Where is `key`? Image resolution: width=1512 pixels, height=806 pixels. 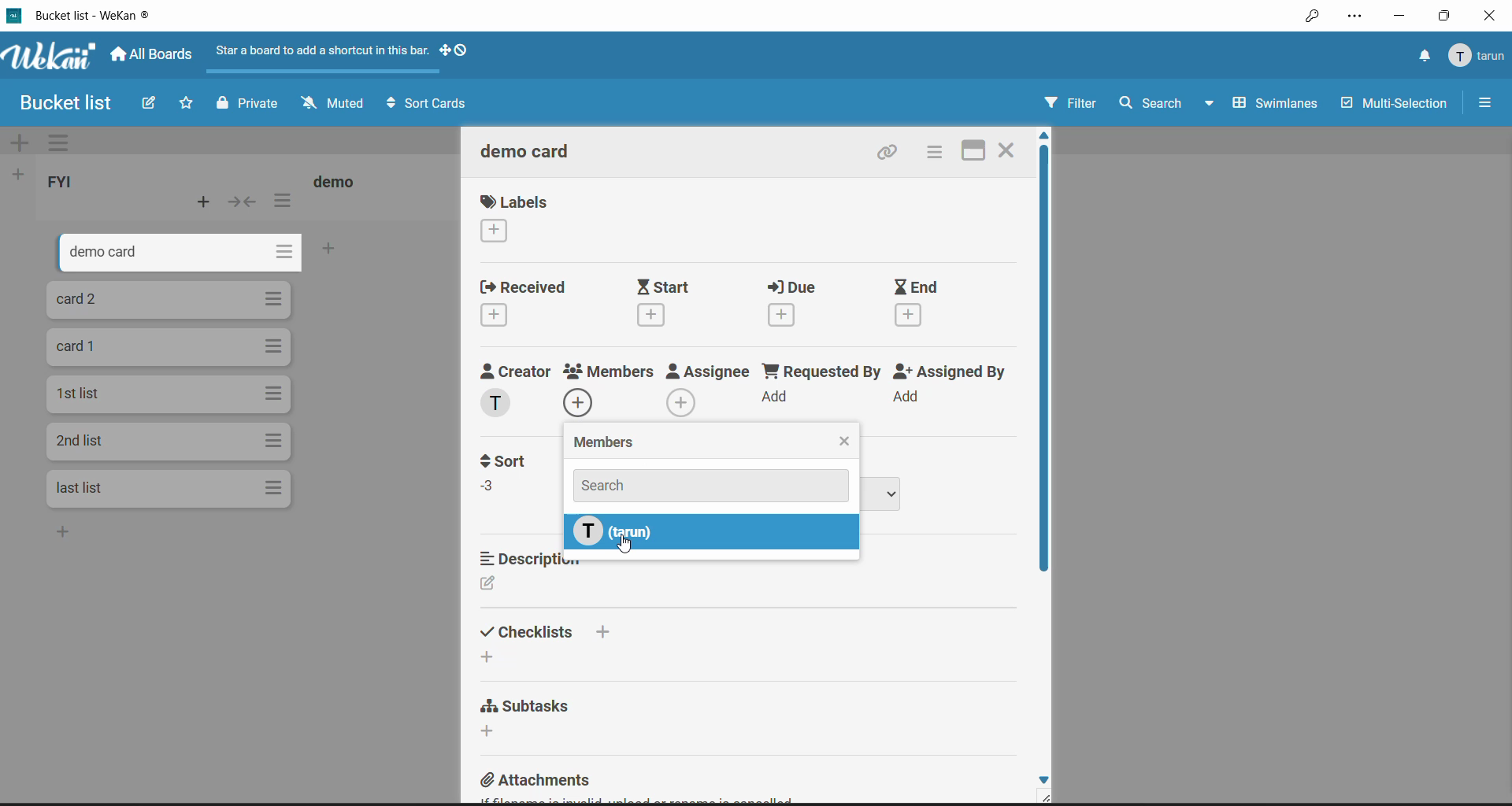
key is located at coordinates (1311, 17).